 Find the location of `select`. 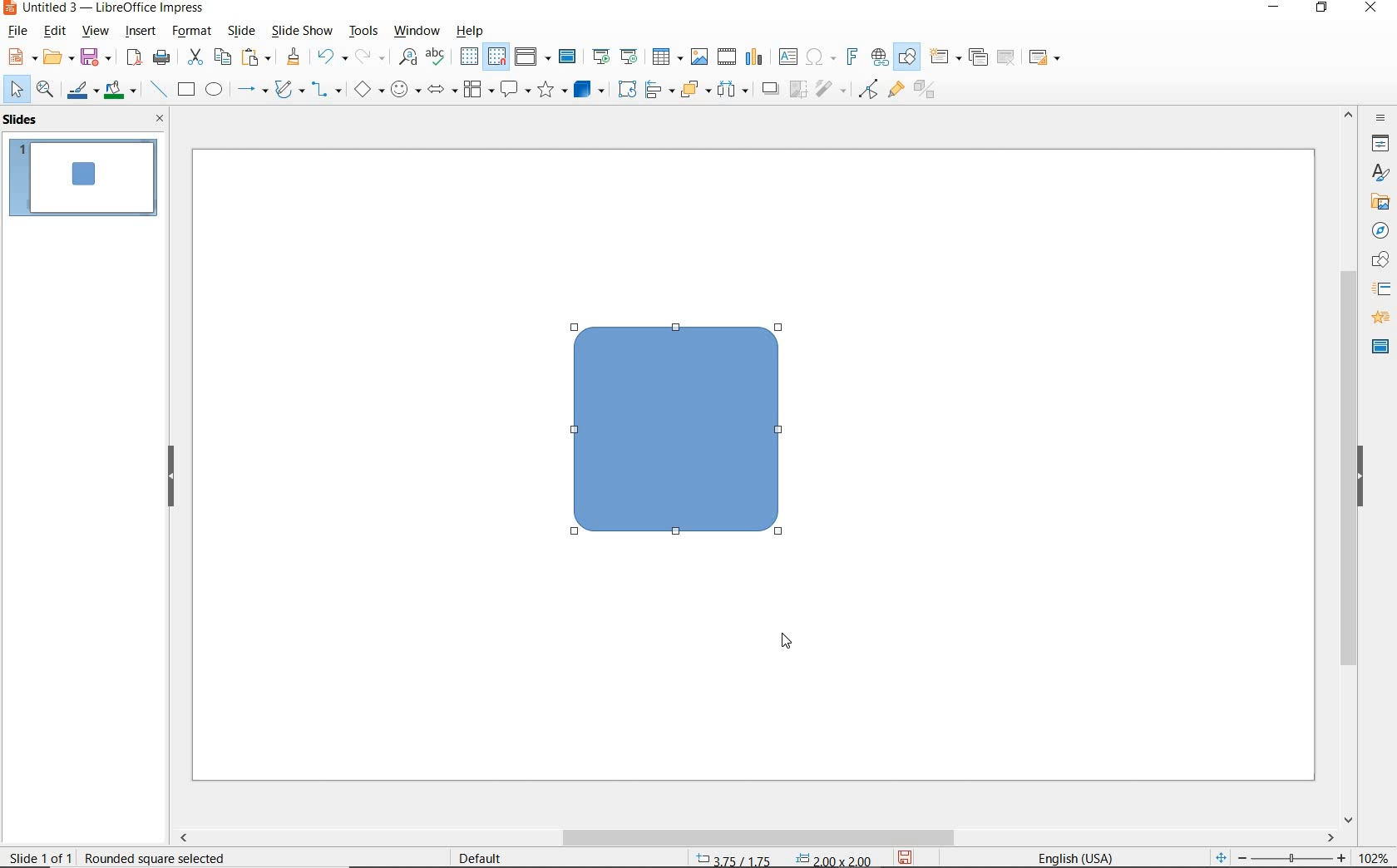

select is located at coordinates (13, 91).